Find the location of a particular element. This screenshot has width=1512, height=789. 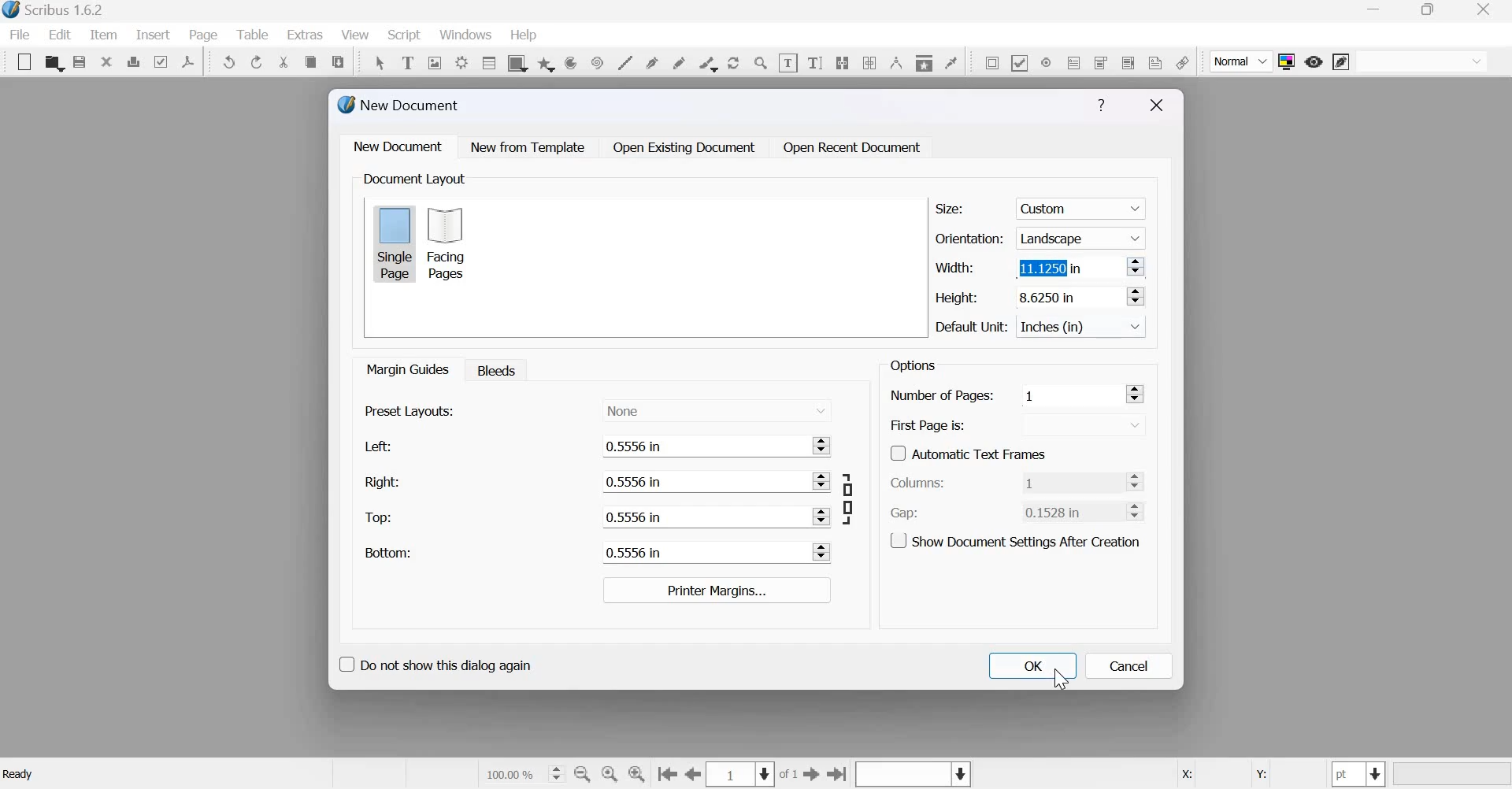

Top: is located at coordinates (380, 518).